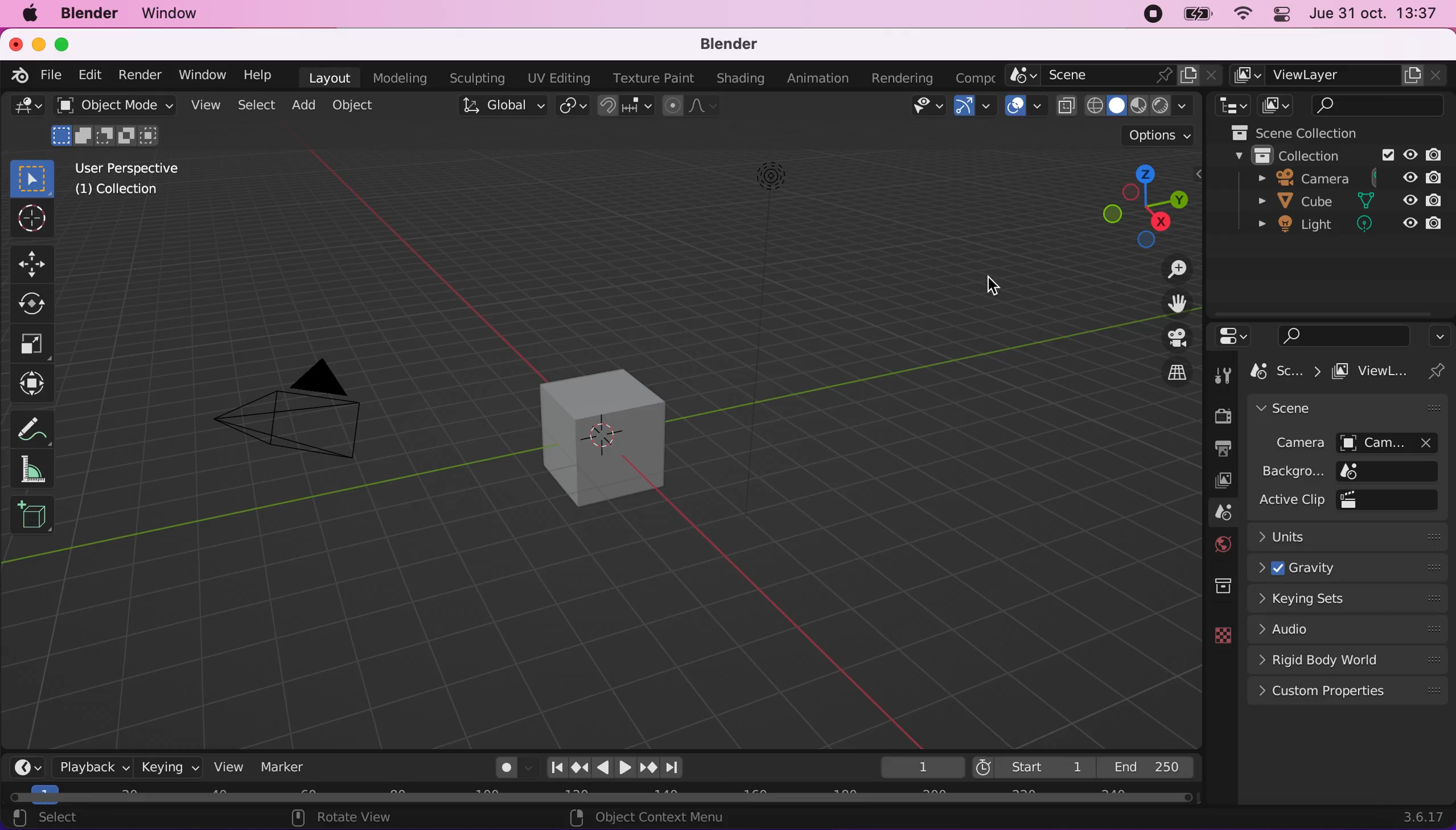 The width and height of the screenshot is (1456, 830). I want to click on render, so click(141, 74).